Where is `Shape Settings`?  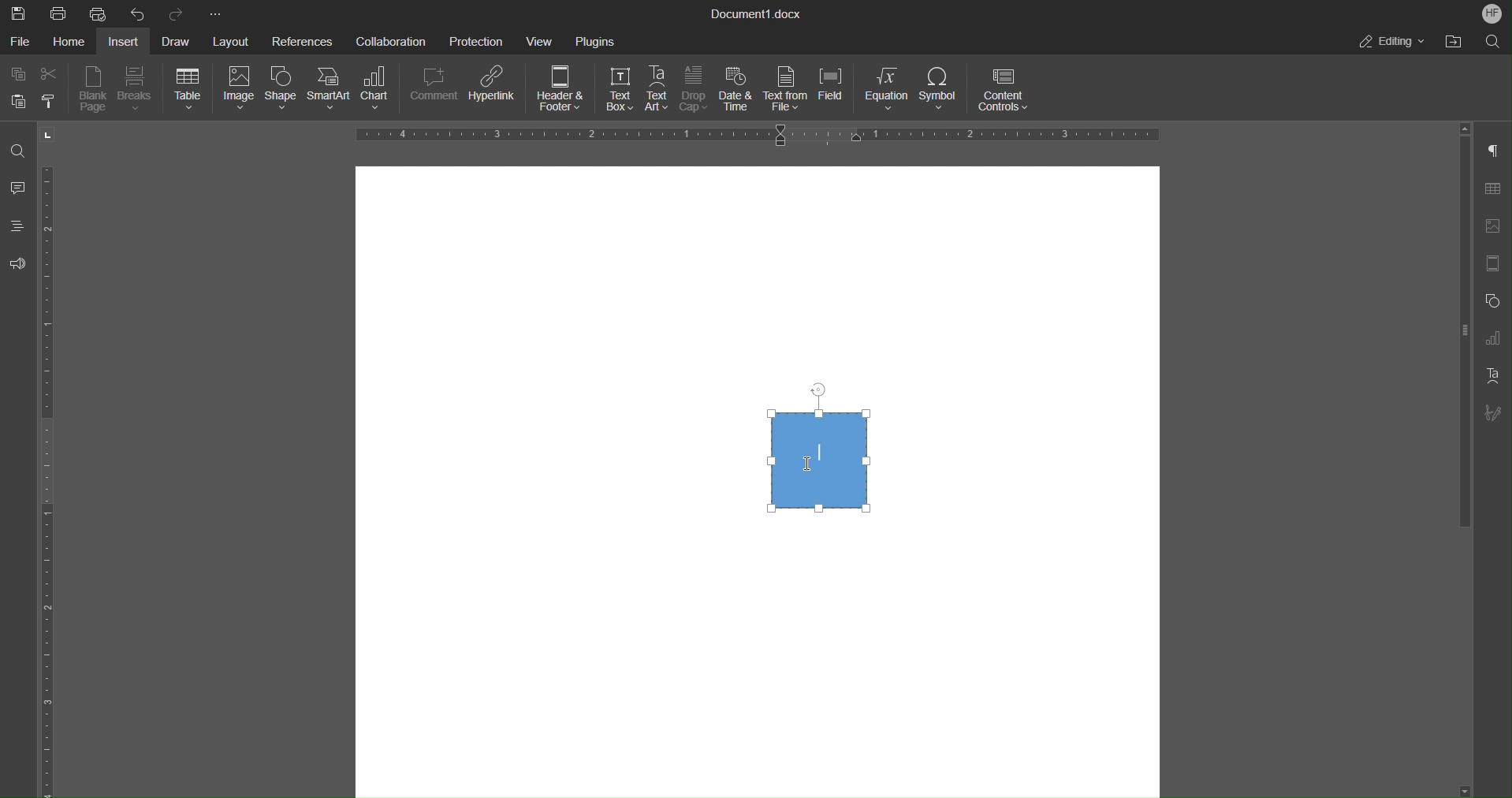 Shape Settings is located at coordinates (1496, 300).